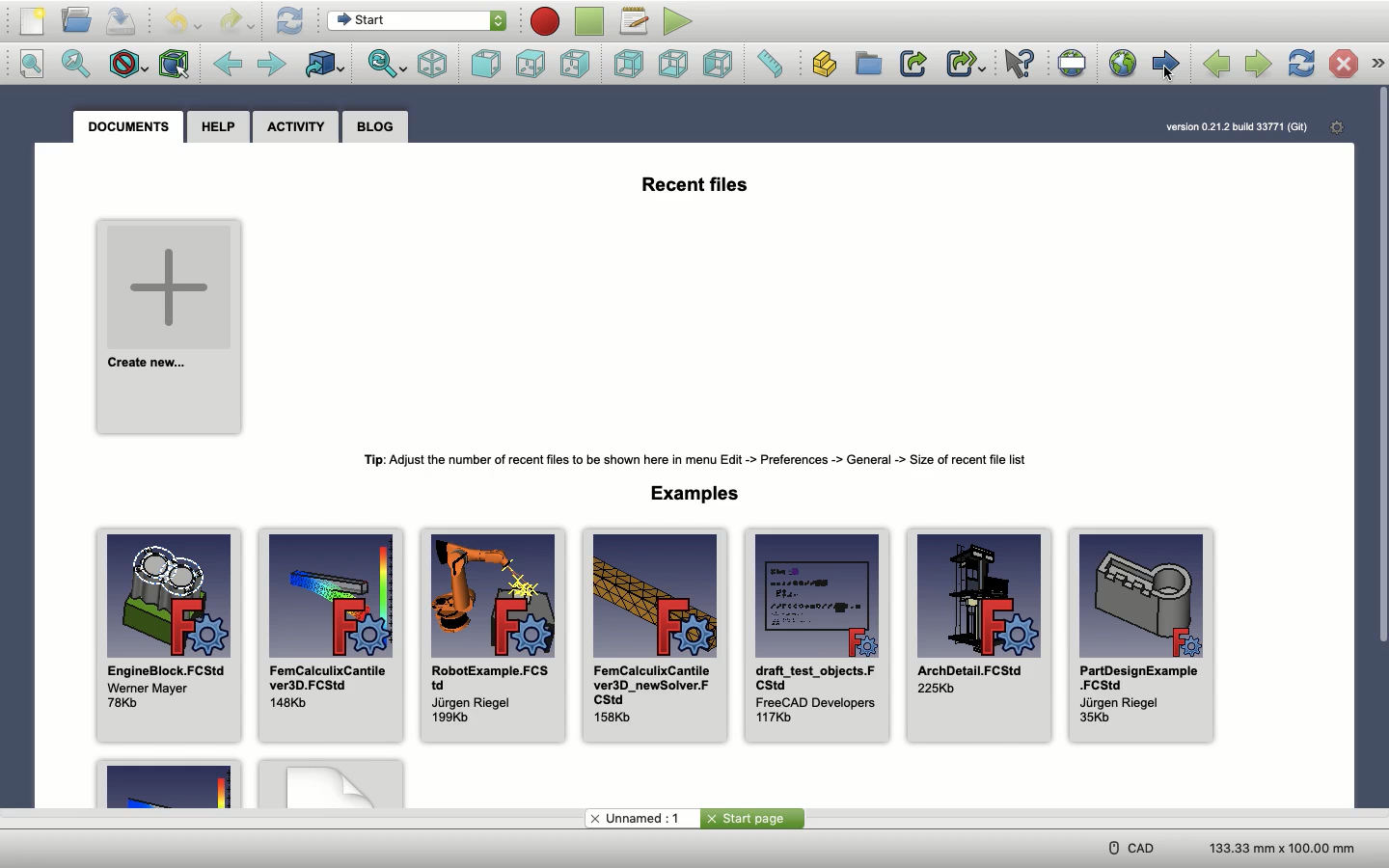 This screenshot has width=1389, height=868. I want to click on New dimension, so click(1280, 847).